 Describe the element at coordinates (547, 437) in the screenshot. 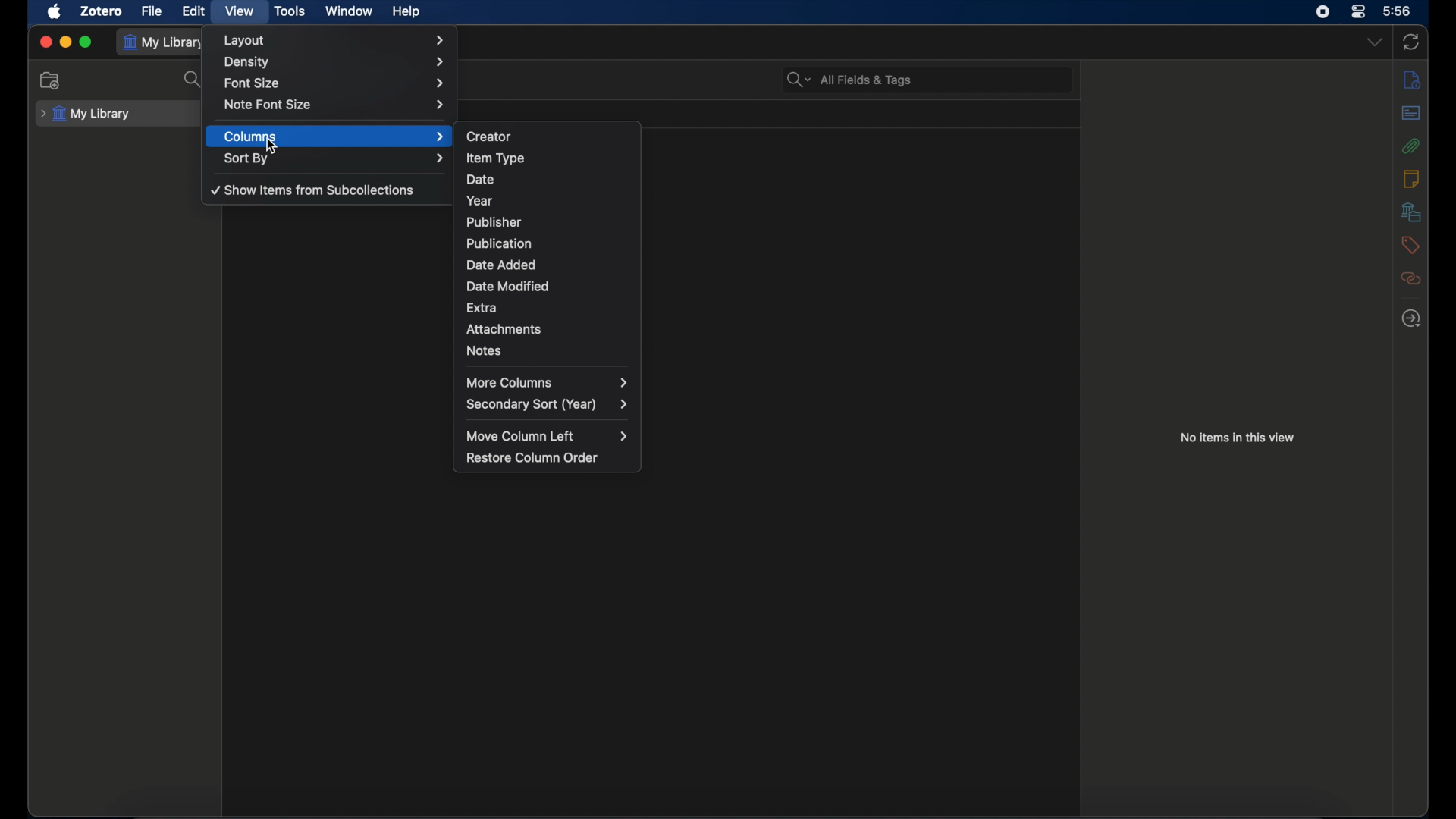

I see `move column left` at that location.